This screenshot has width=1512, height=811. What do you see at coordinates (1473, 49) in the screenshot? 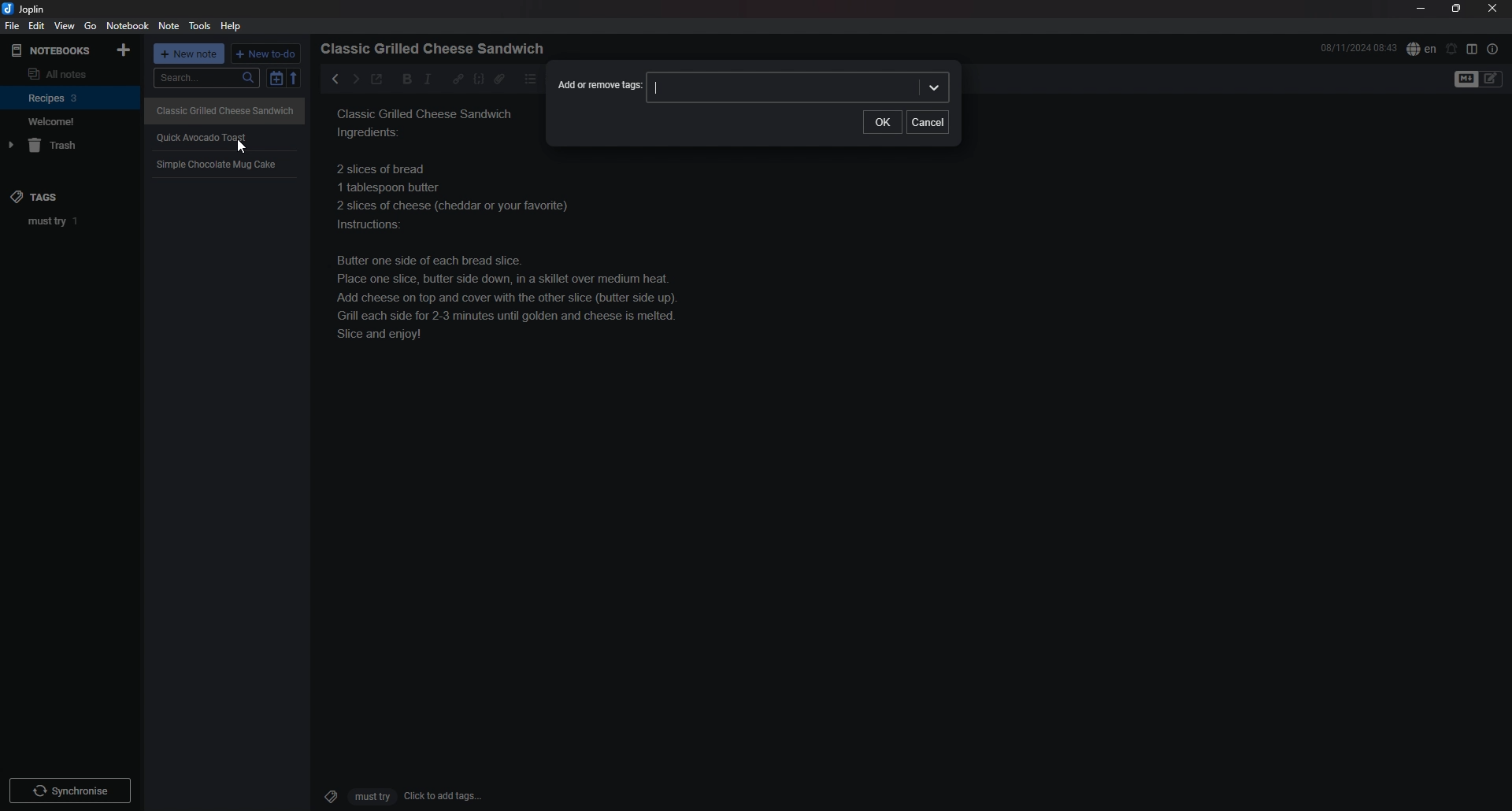
I see `toggle editor layout` at bounding box center [1473, 49].